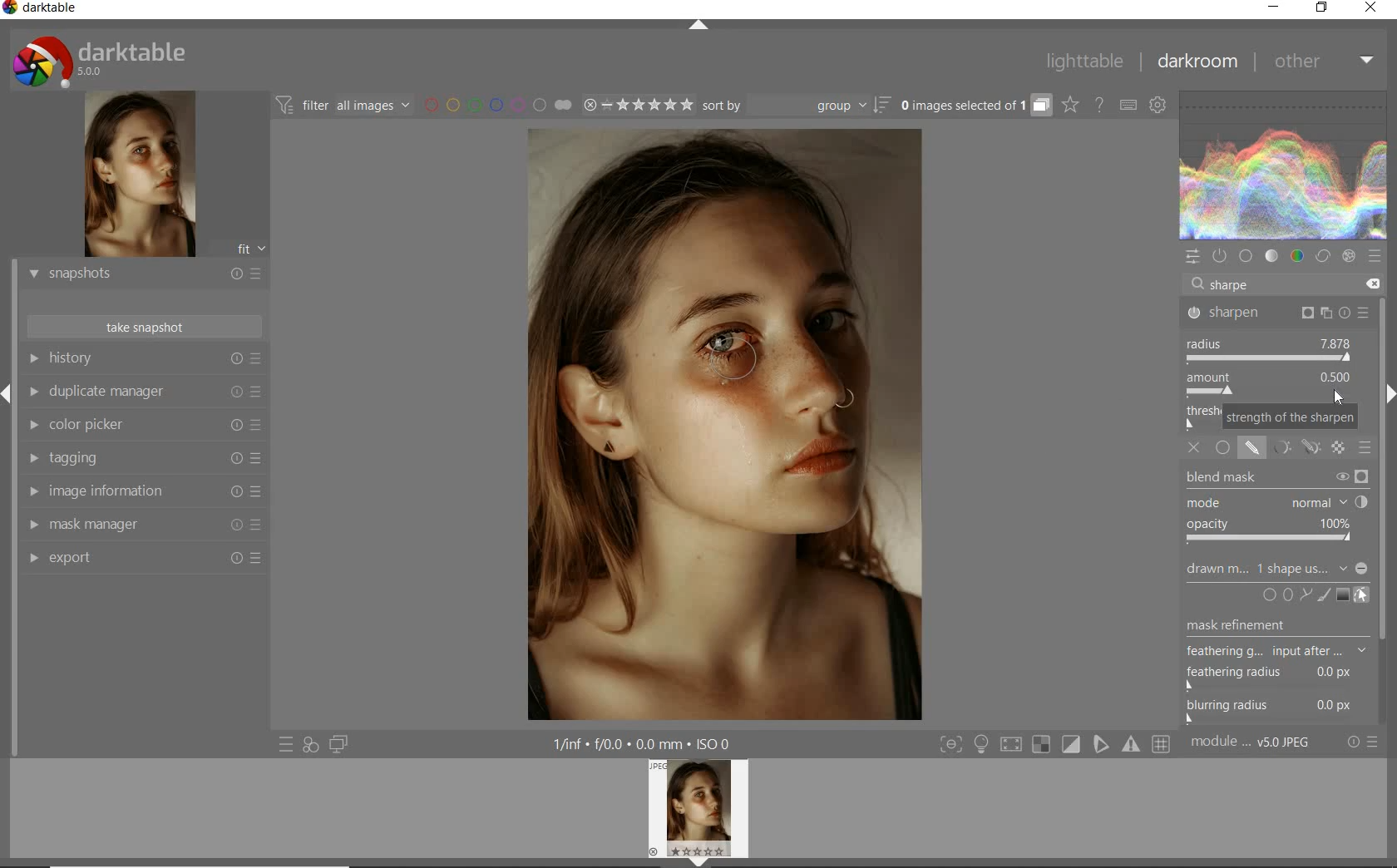 This screenshot has width=1397, height=868. I want to click on darkroom, so click(1198, 64).